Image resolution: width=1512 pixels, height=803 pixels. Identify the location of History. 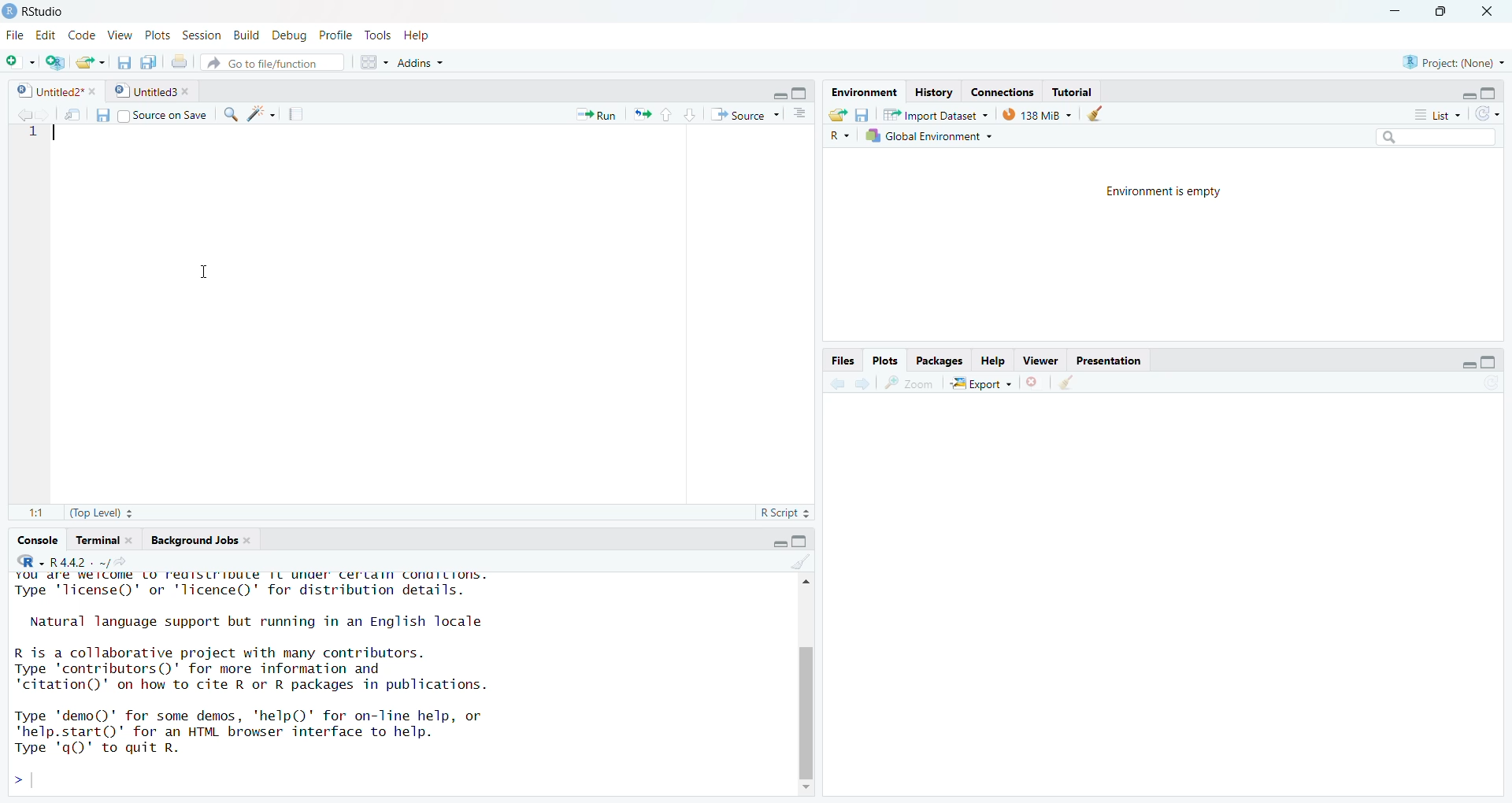
(932, 90).